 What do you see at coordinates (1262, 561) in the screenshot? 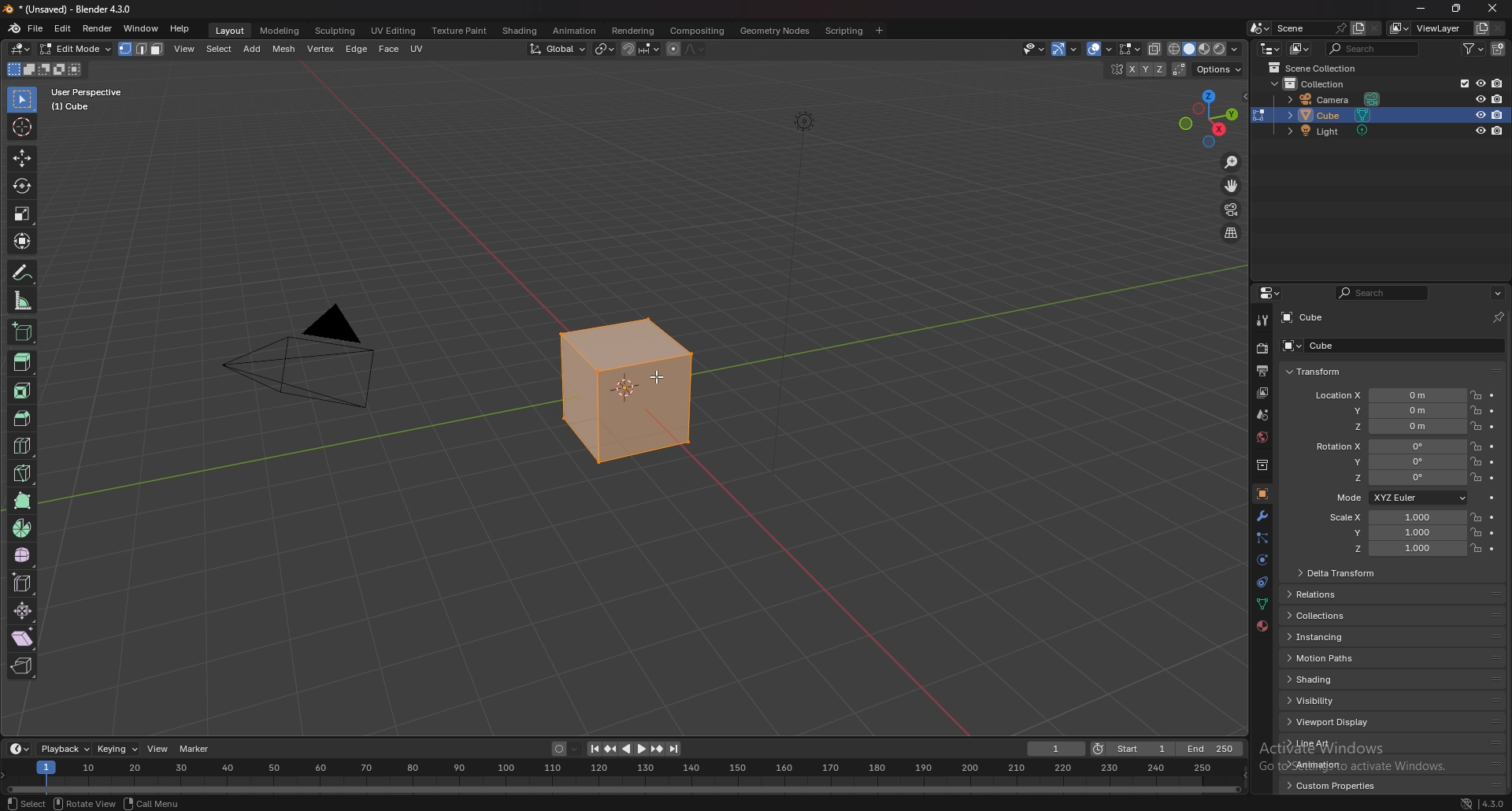
I see `physics` at bounding box center [1262, 561].